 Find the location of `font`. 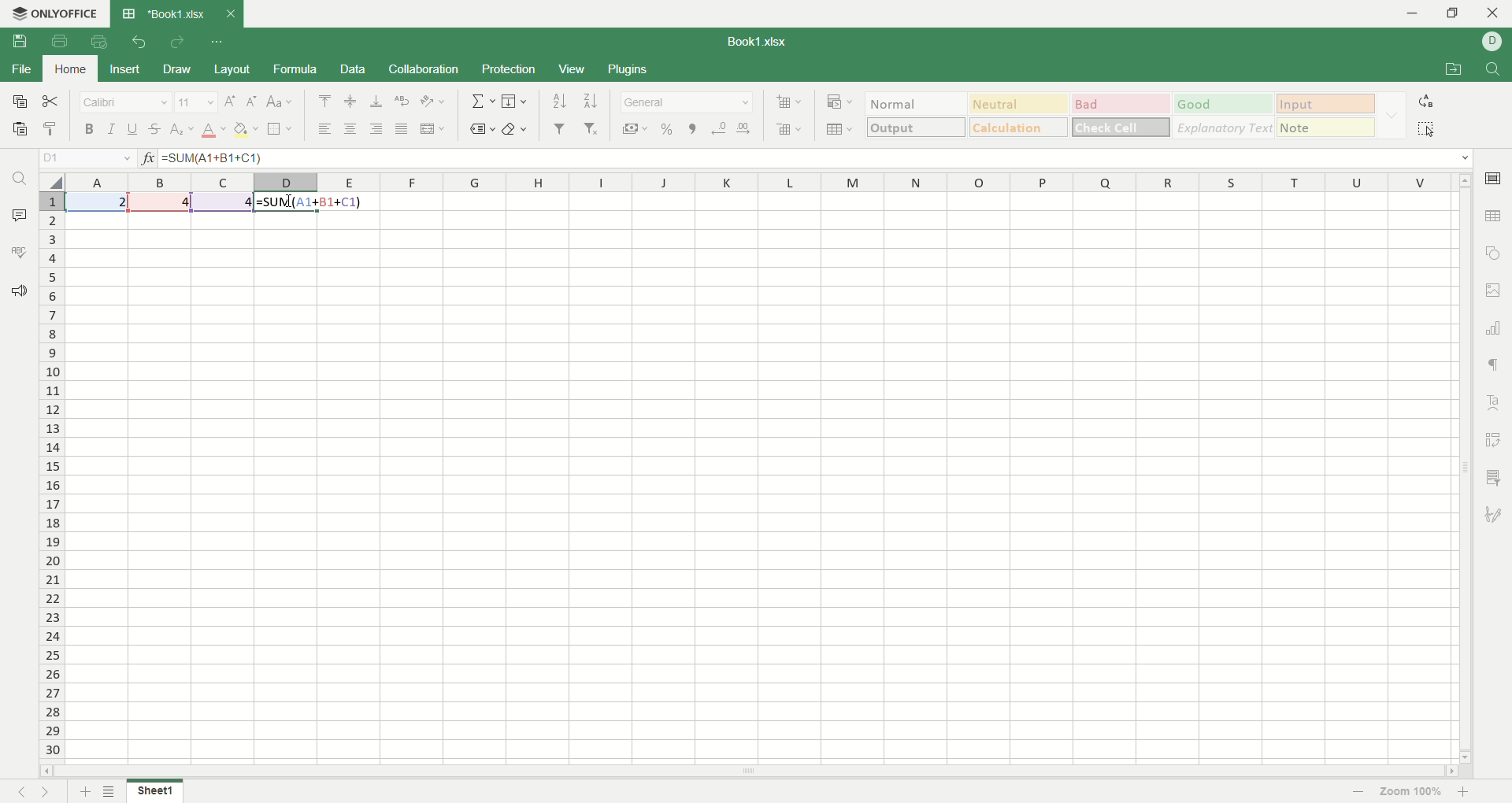

font is located at coordinates (124, 103).